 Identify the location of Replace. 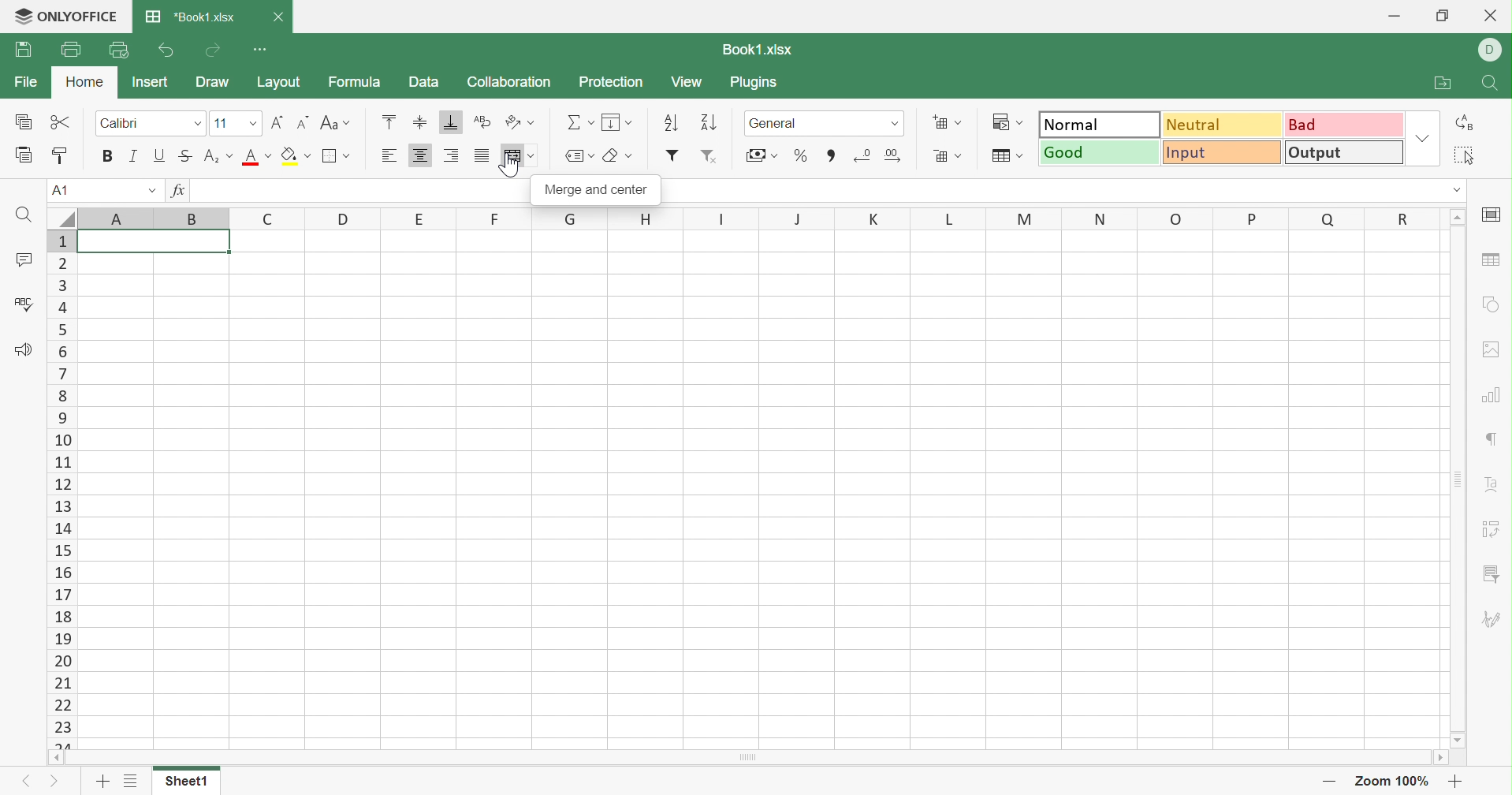
(1466, 123).